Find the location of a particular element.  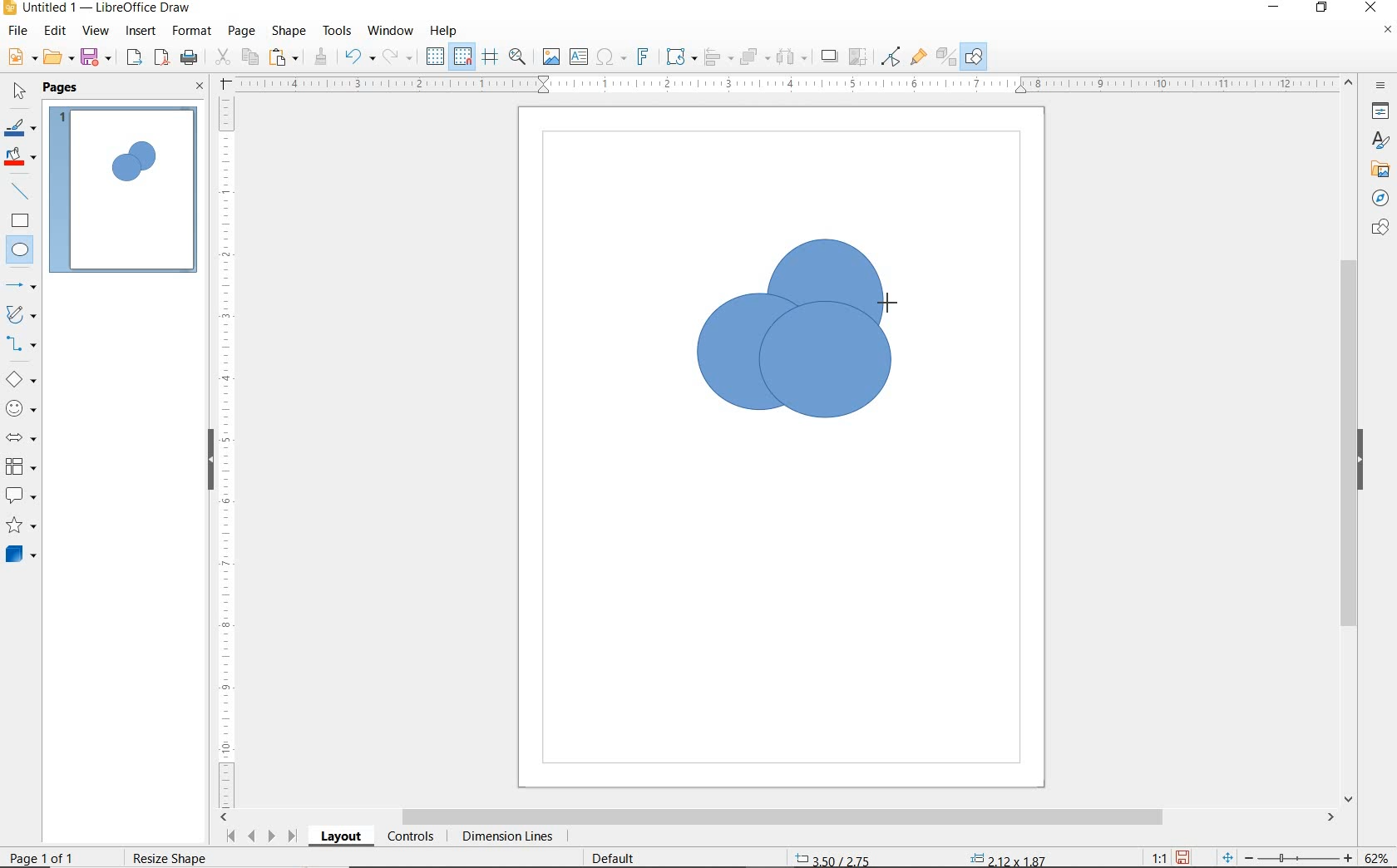

UNDO is located at coordinates (359, 58).